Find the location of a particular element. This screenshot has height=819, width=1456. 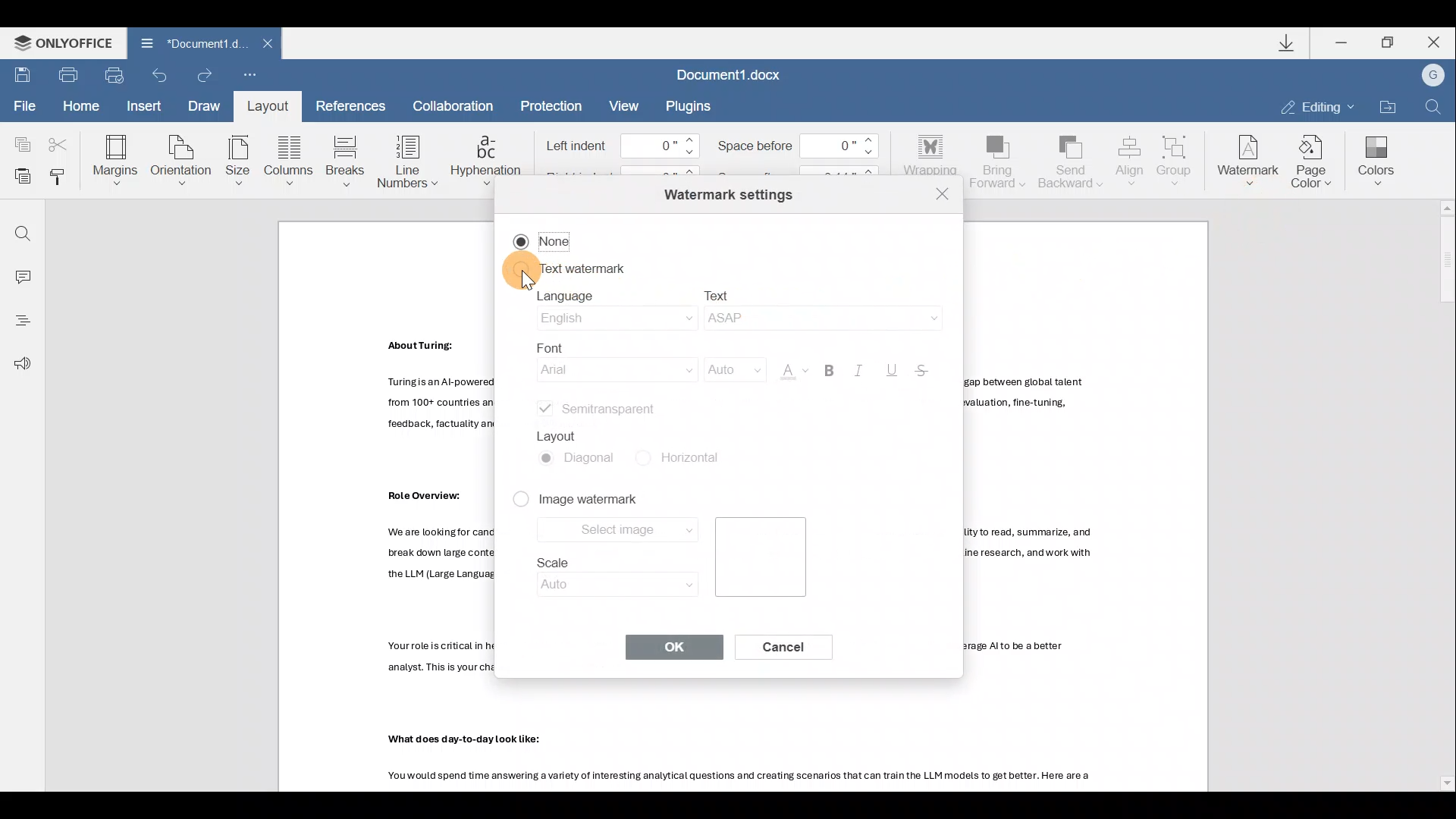

Downloads is located at coordinates (1292, 45).